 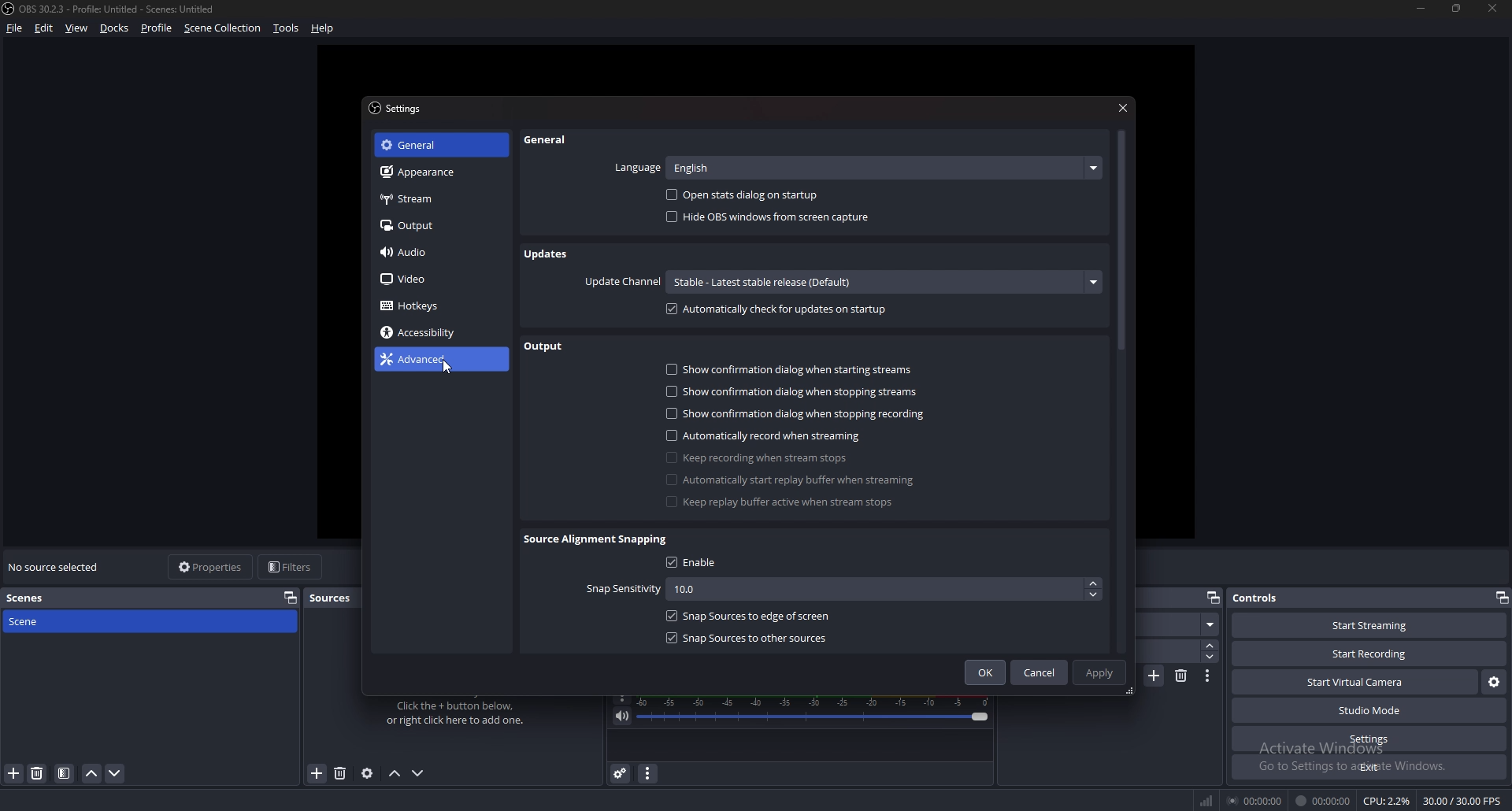 I want to click on hide OBS windows from screen capture, so click(x=769, y=217).